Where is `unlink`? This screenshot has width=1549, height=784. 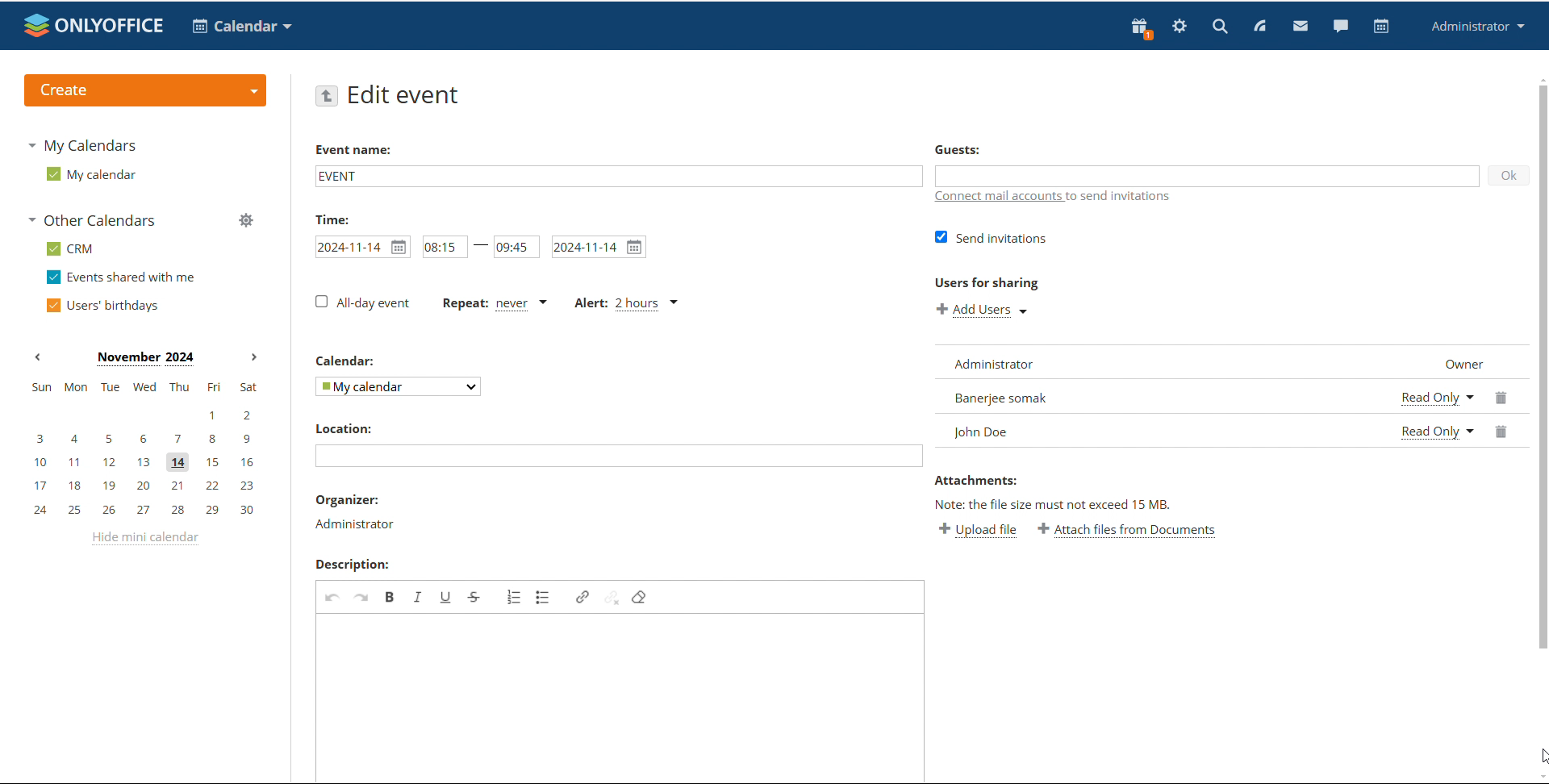 unlink is located at coordinates (612, 598).